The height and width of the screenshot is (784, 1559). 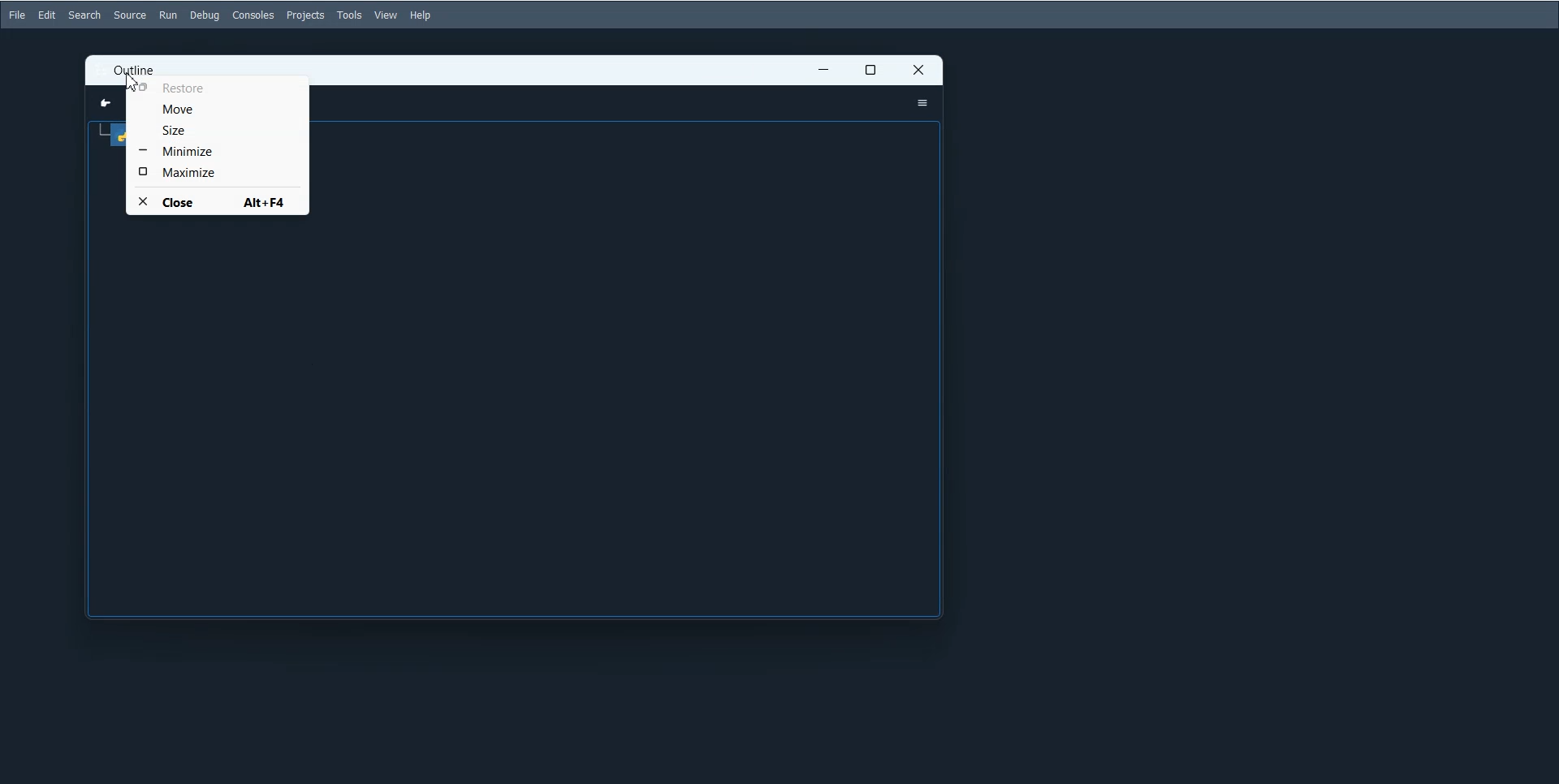 What do you see at coordinates (136, 85) in the screenshot?
I see `cursor` at bounding box center [136, 85].